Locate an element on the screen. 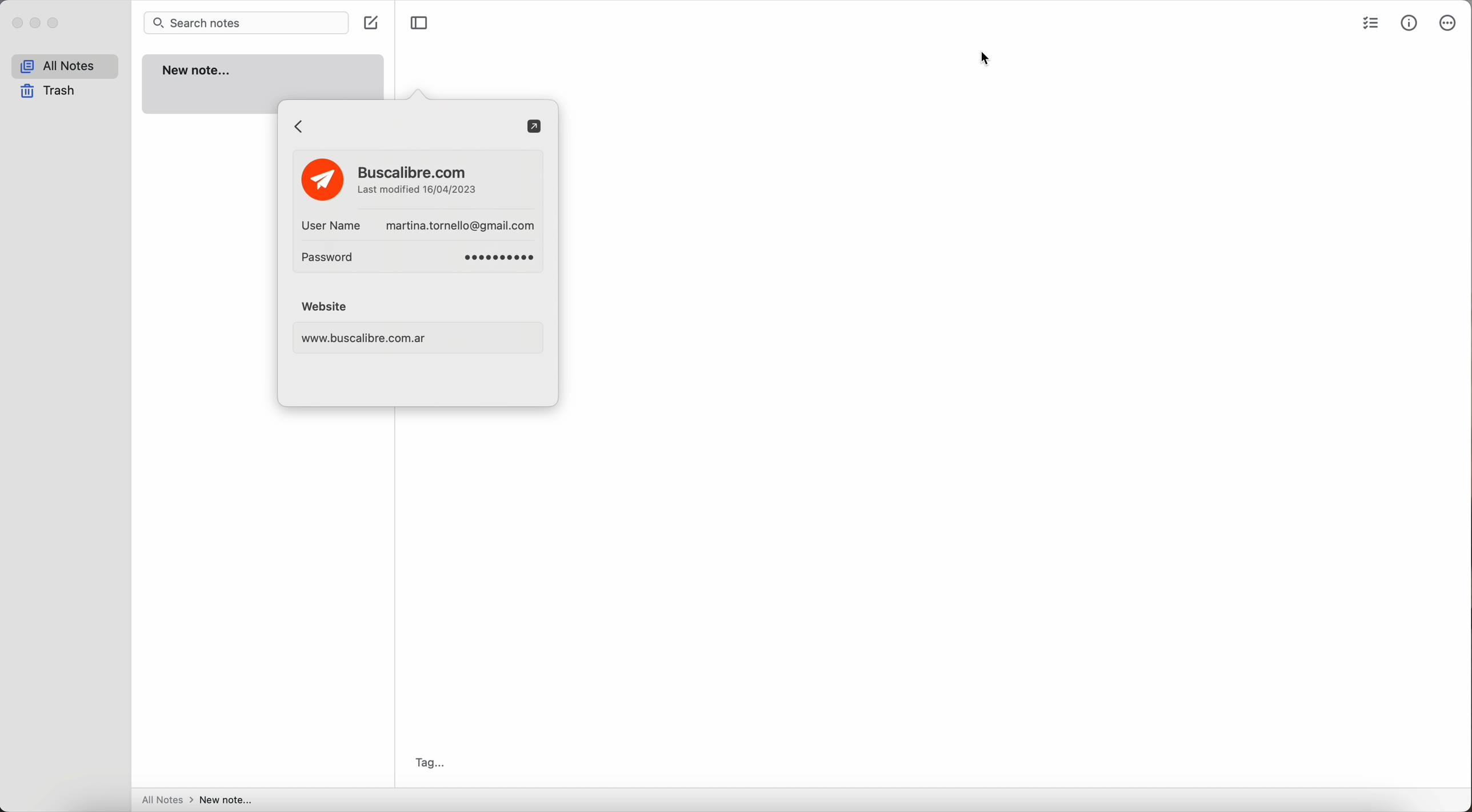  close Simplenote is located at coordinates (17, 23).